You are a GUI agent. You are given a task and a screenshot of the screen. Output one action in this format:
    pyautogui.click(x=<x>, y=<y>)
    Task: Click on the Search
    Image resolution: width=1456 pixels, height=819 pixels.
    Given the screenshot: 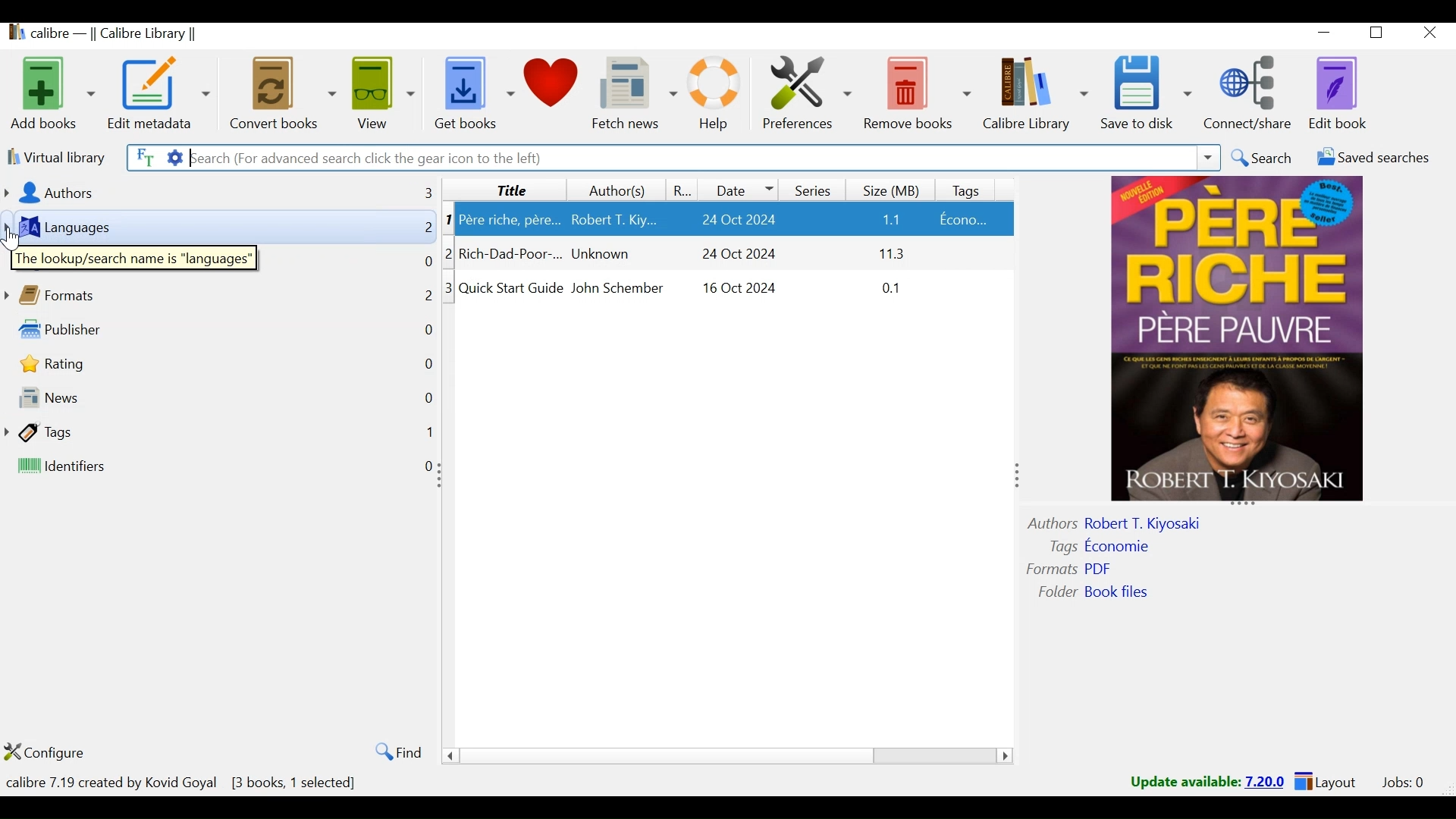 What is the action you would take?
    pyautogui.click(x=1262, y=158)
    